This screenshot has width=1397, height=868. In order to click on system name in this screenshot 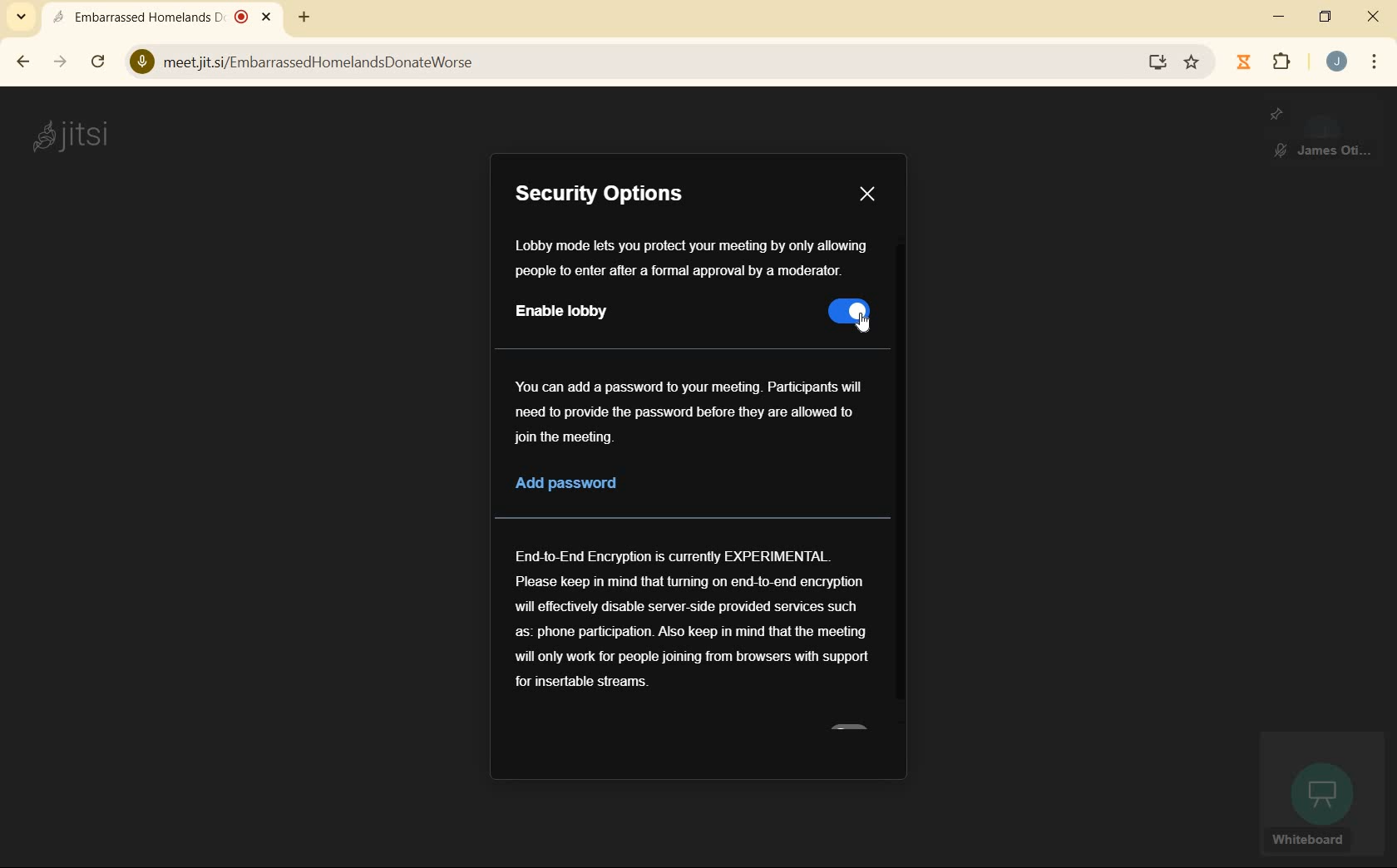, I will do `click(69, 136)`.